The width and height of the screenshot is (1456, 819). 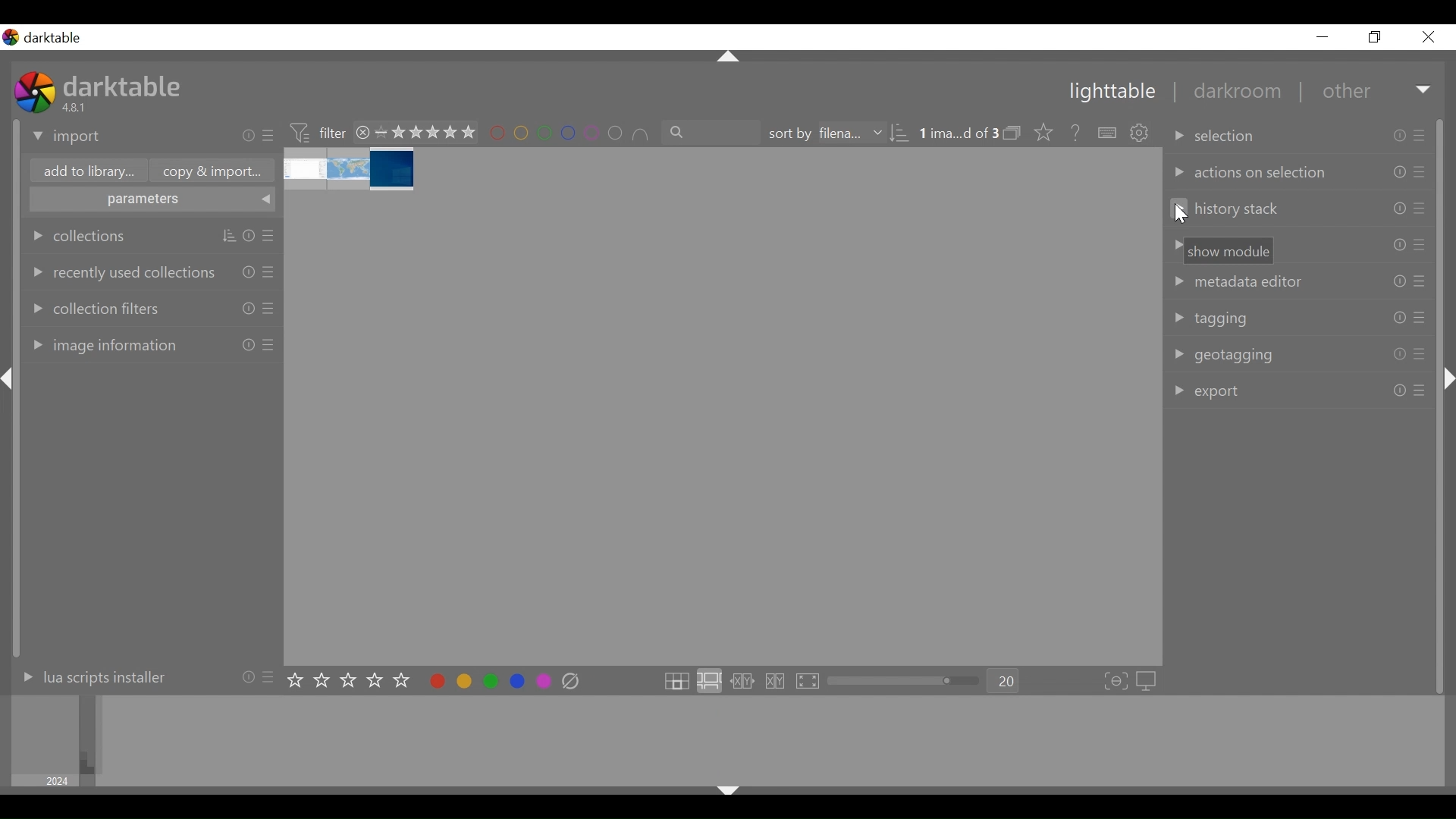 I want to click on info, so click(x=249, y=271).